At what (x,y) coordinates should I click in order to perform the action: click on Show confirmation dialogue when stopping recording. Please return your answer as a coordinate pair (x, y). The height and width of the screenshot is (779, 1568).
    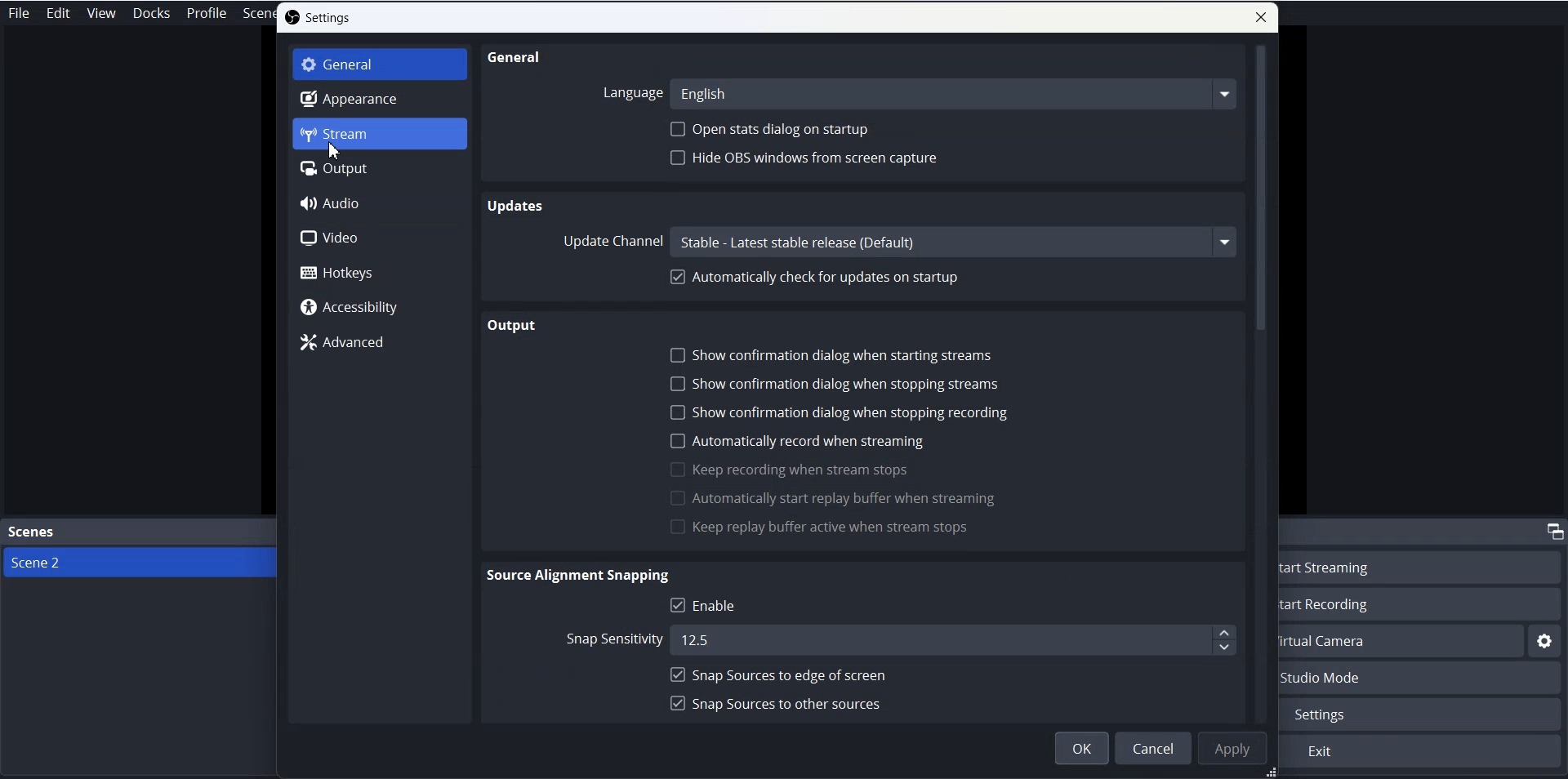
    Looking at the image, I should click on (841, 412).